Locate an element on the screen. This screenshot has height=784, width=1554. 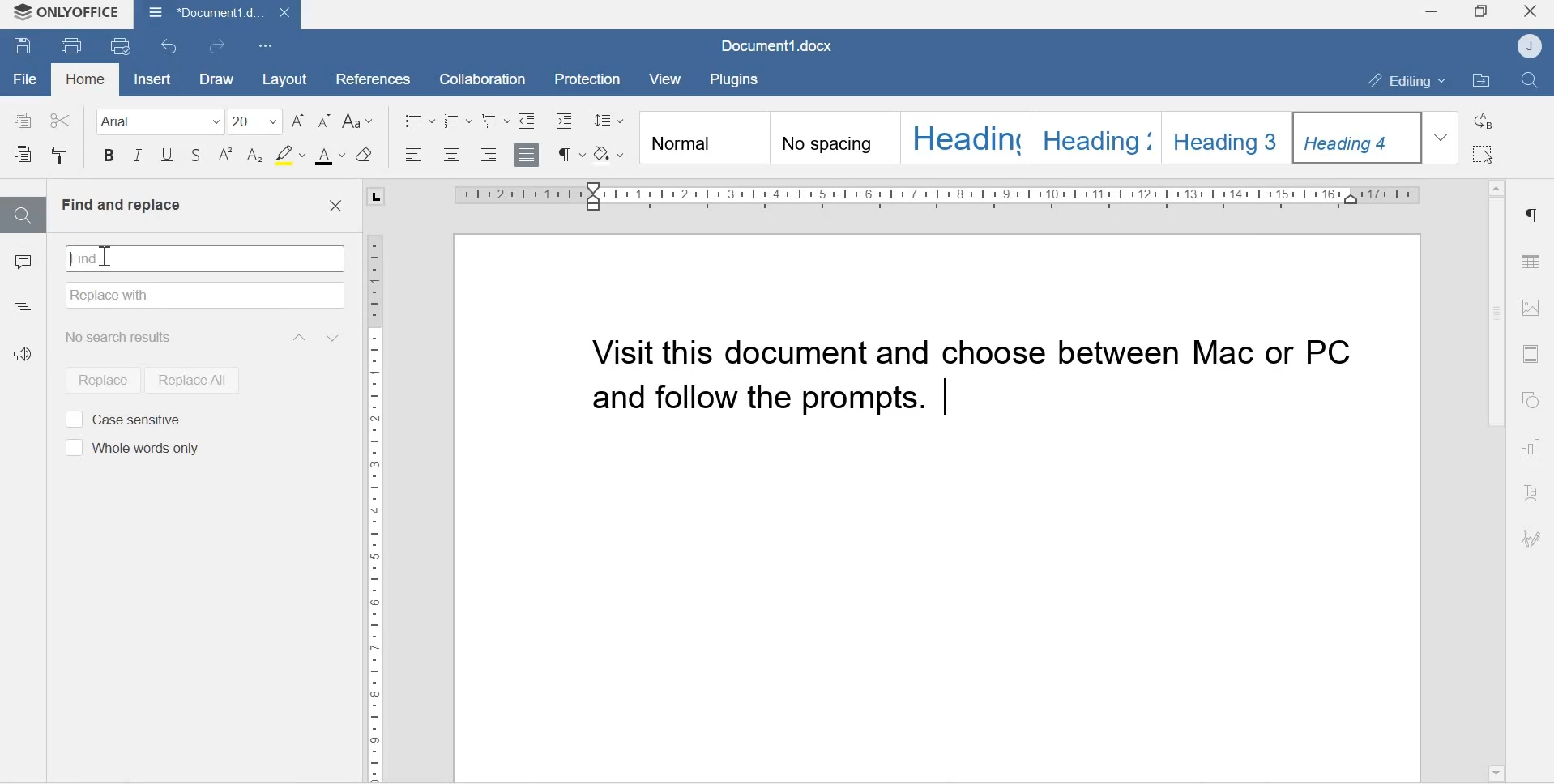
Align center is located at coordinates (450, 156).